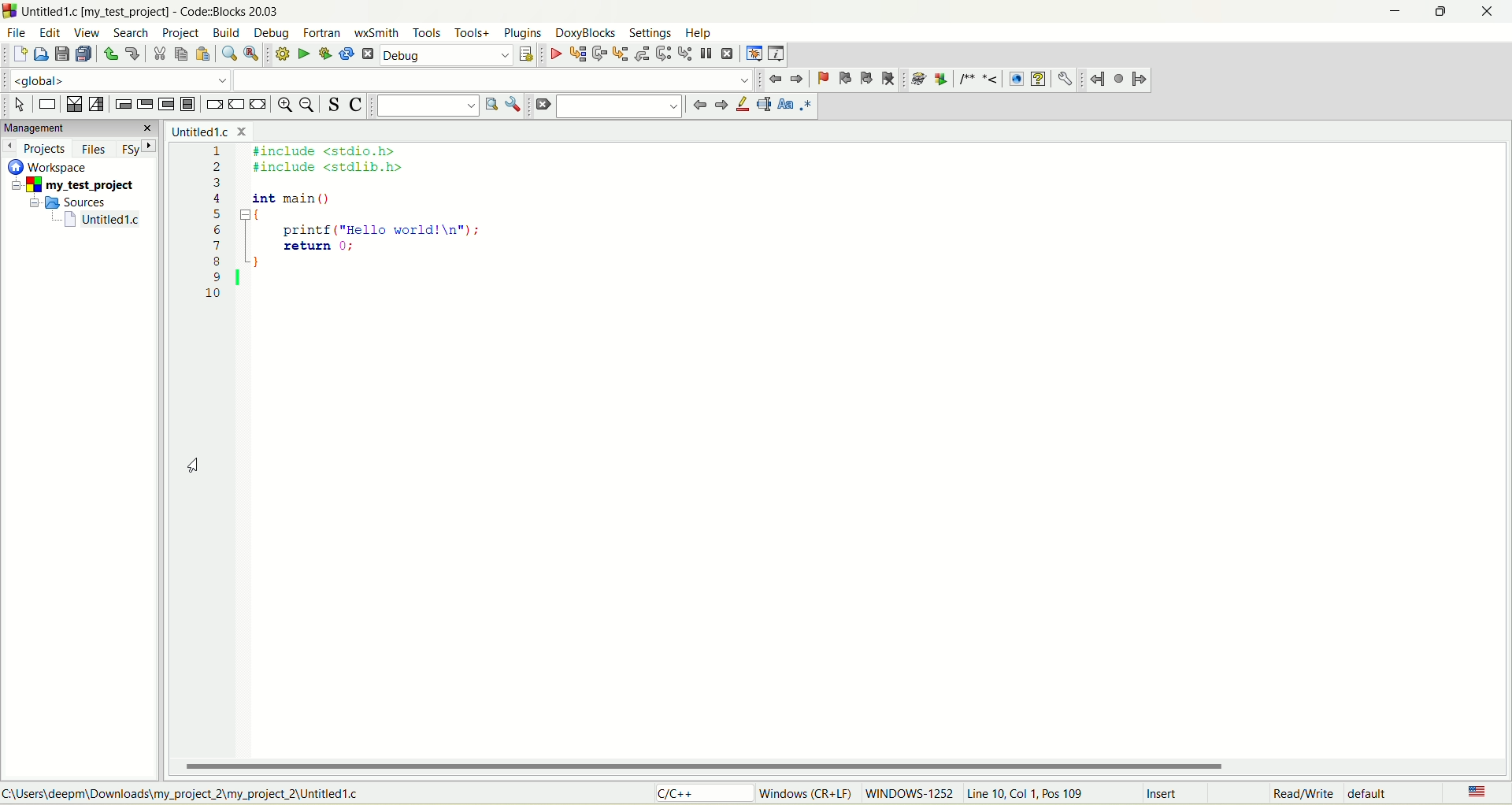  Describe the element at coordinates (286, 105) in the screenshot. I see `zoom in` at that location.